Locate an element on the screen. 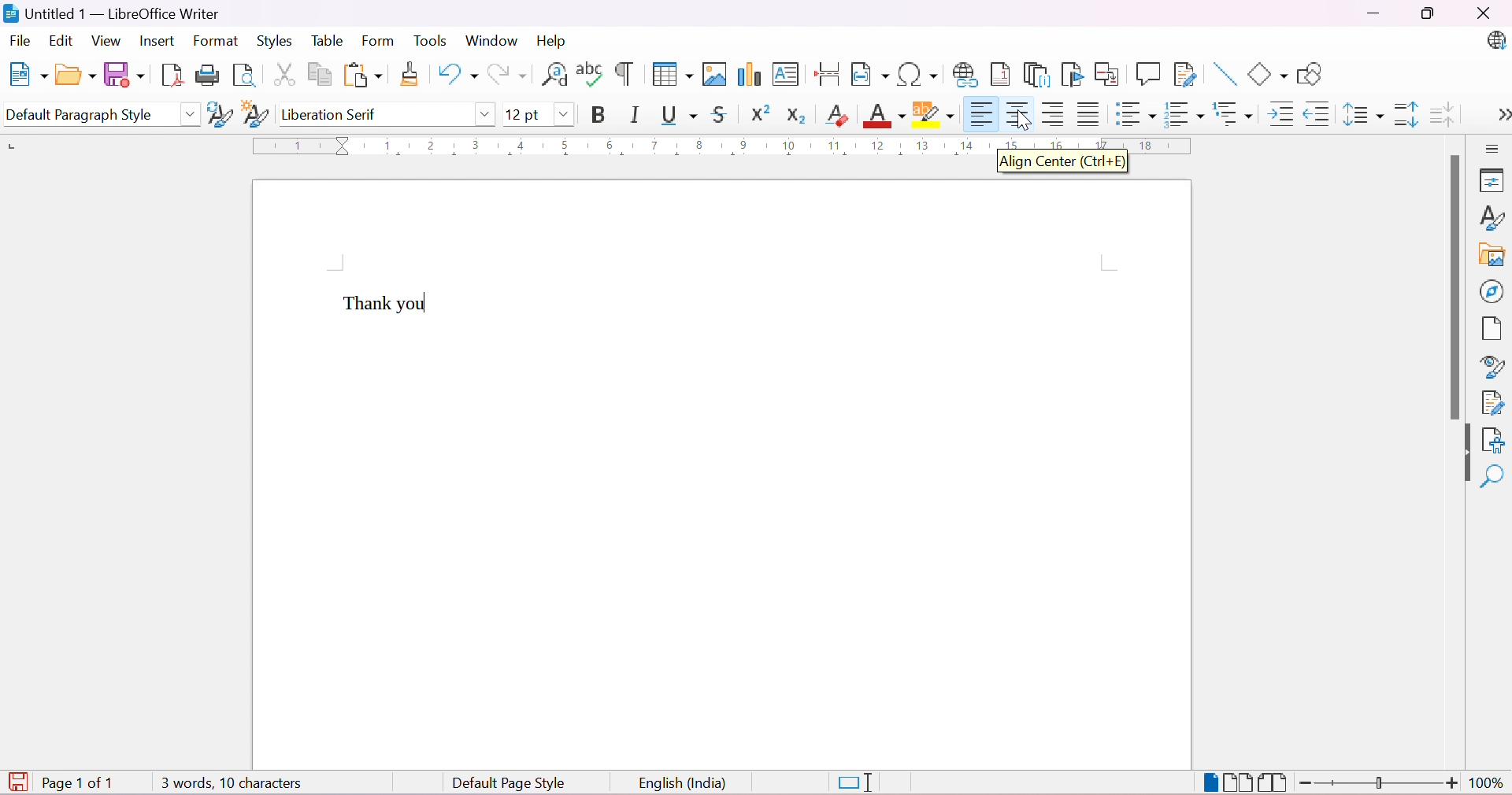  Toggle Ordered List is located at coordinates (1182, 113).